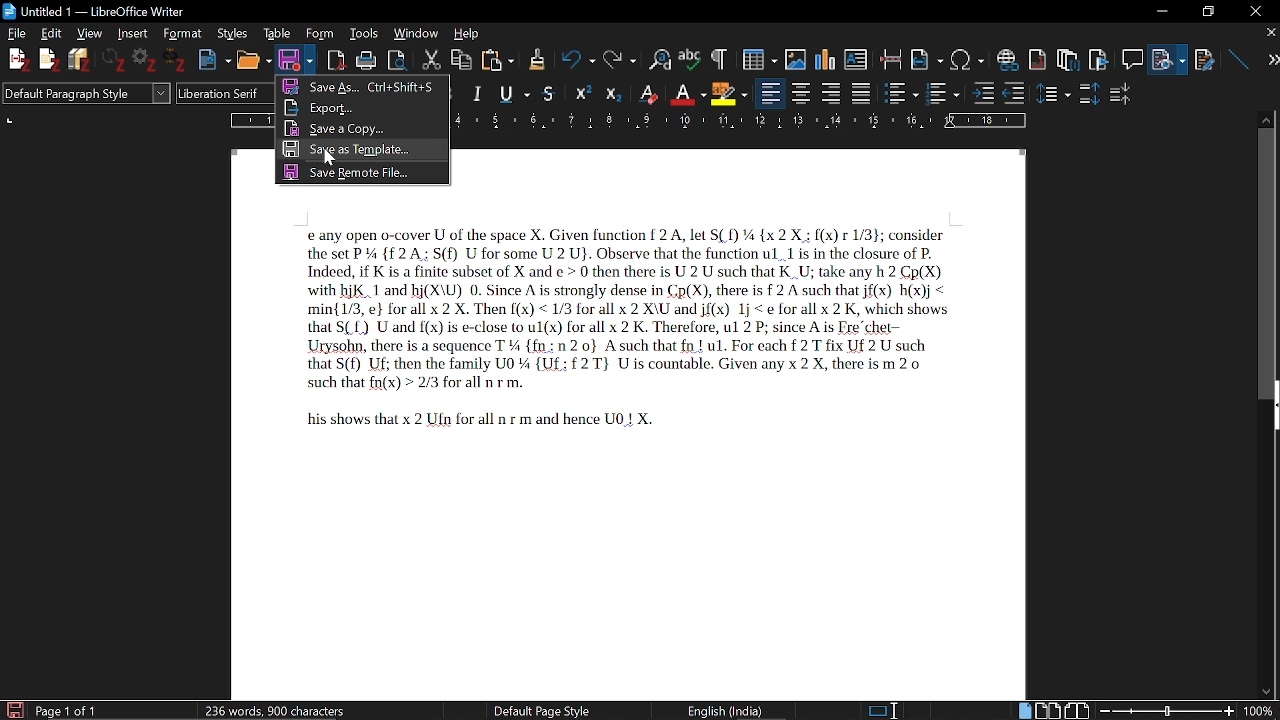 This screenshot has width=1280, height=720. What do you see at coordinates (884, 710) in the screenshot?
I see `standard selection` at bounding box center [884, 710].